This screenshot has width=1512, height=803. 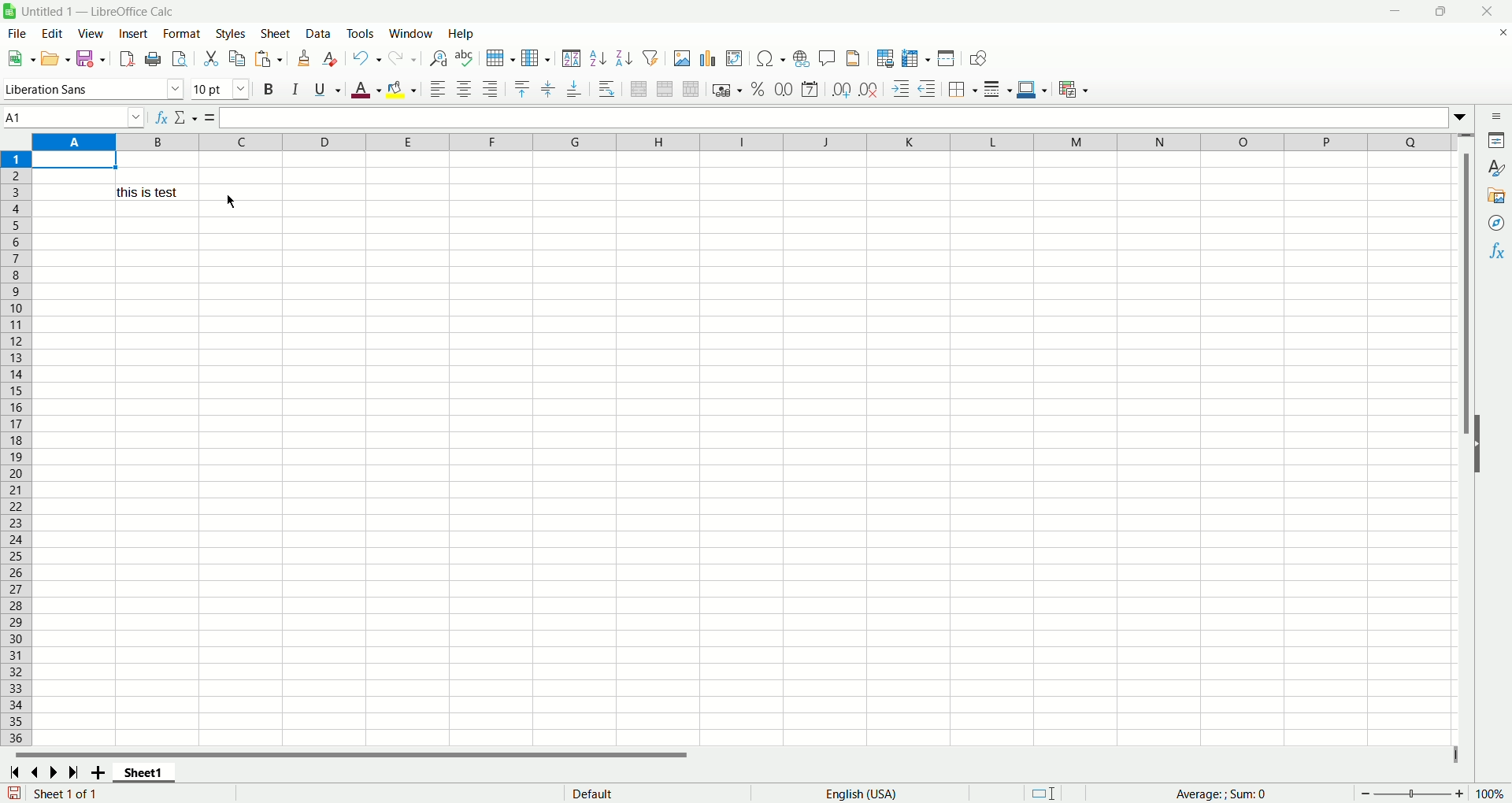 What do you see at coordinates (784, 87) in the screenshot?
I see `format as number` at bounding box center [784, 87].